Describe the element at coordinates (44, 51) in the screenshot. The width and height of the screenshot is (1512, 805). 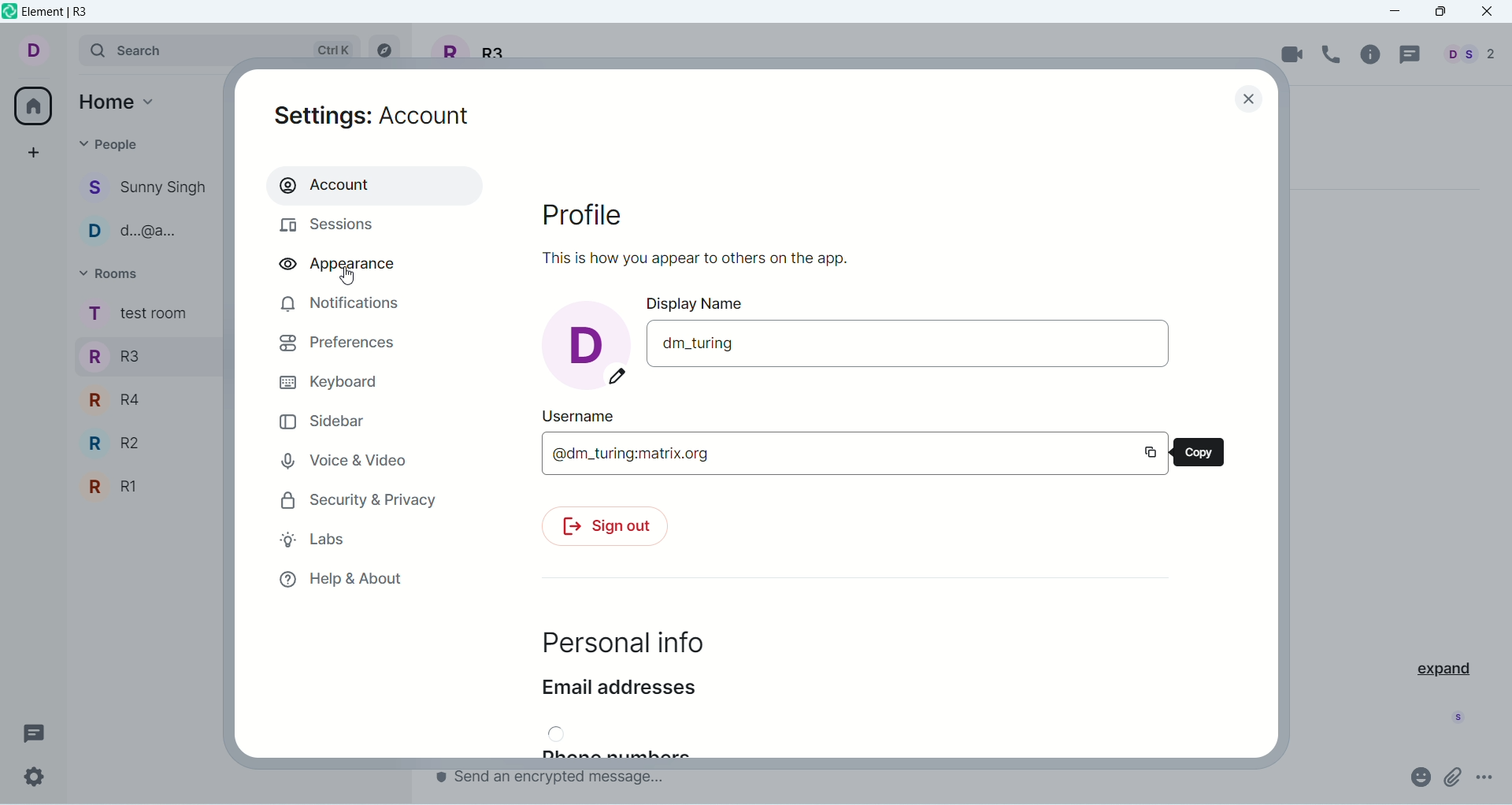
I see `account` at that location.